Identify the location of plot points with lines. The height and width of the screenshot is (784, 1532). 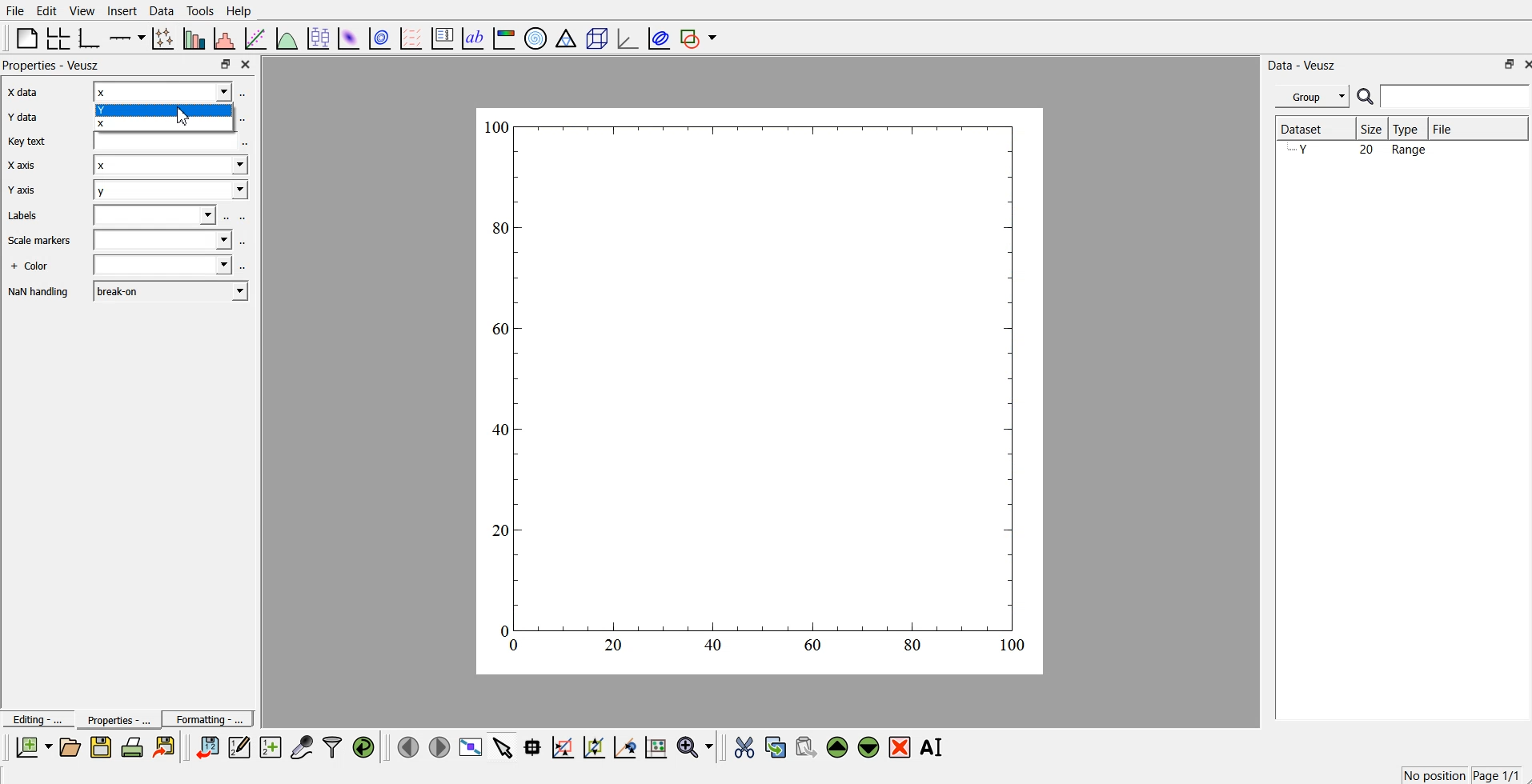
(164, 38).